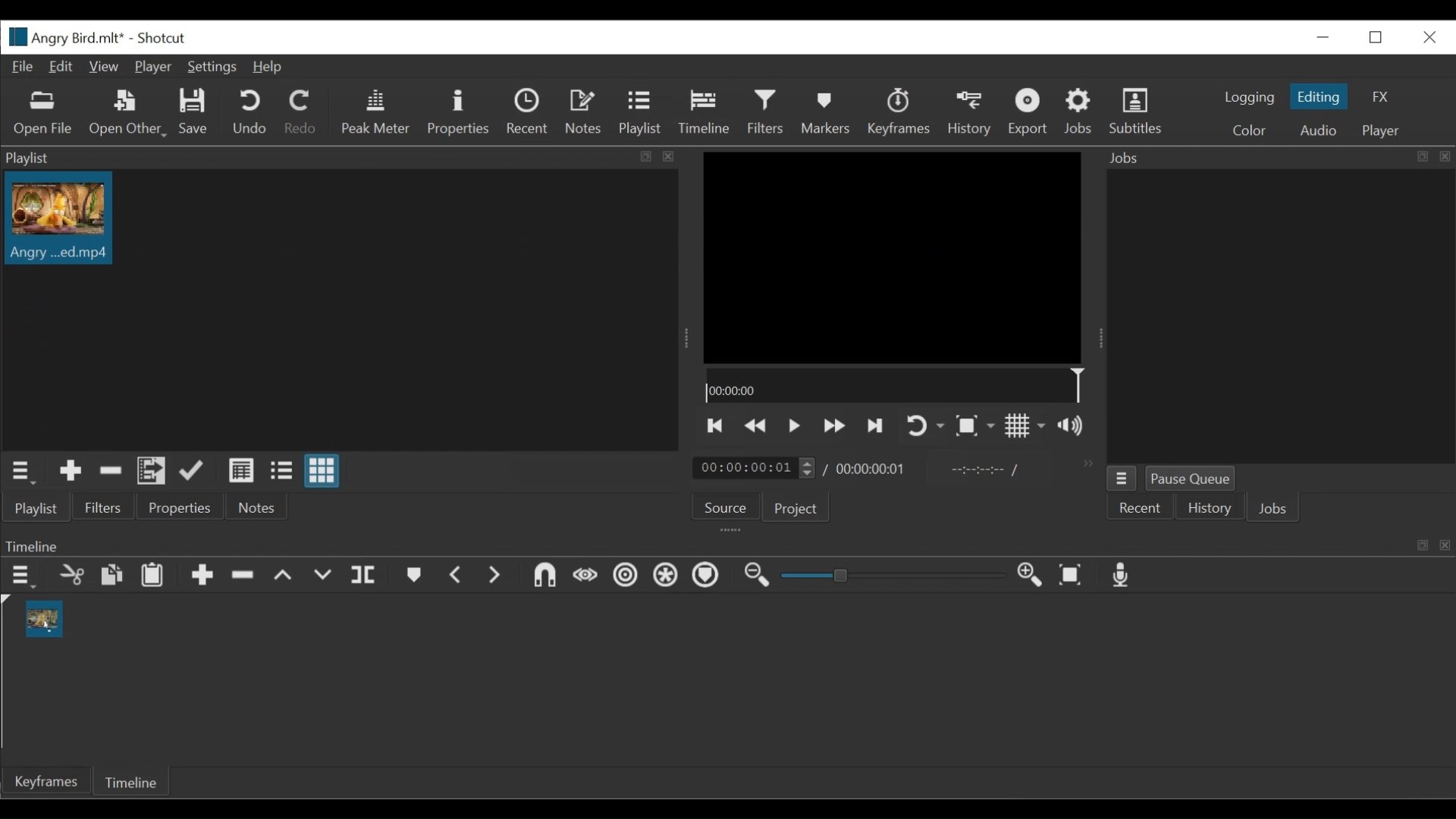 Image resolution: width=1456 pixels, height=819 pixels. What do you see at coordinates (183, 507) in the screenshot?
I see `Properties` at bounding box center [183, 507].